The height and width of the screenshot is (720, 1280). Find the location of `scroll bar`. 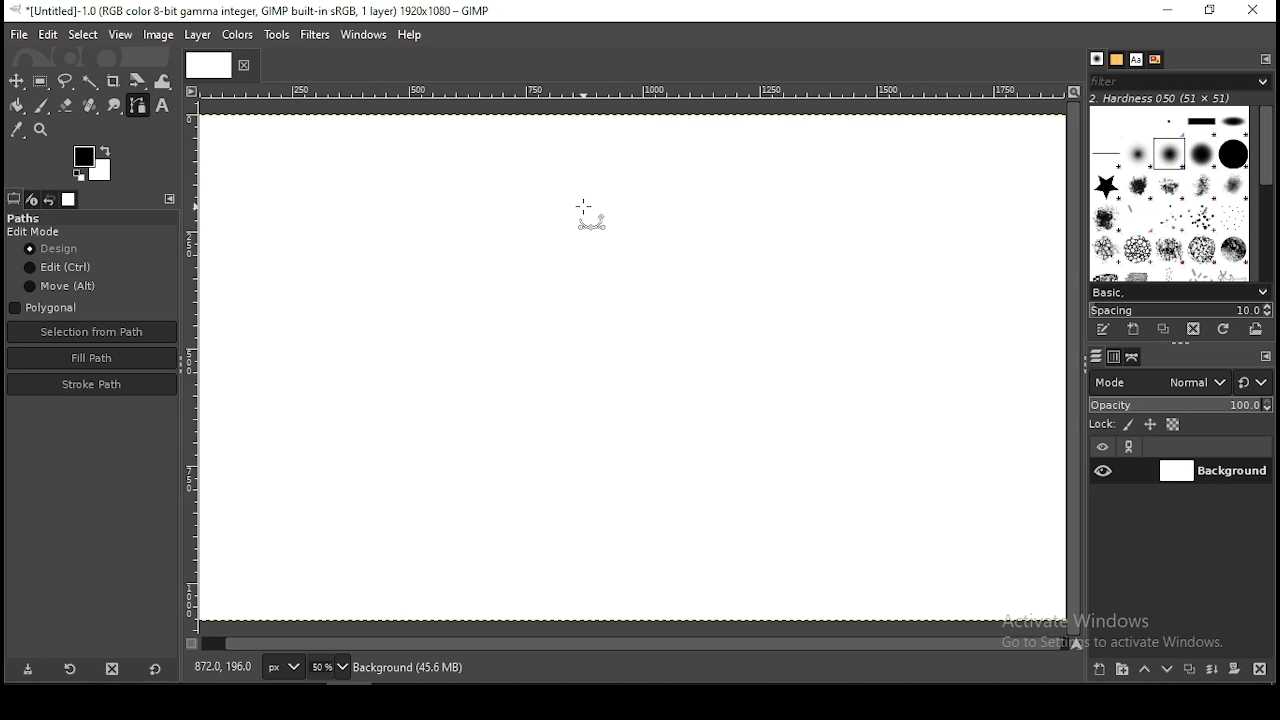

scroll bar is located at coordinates (632, 645).